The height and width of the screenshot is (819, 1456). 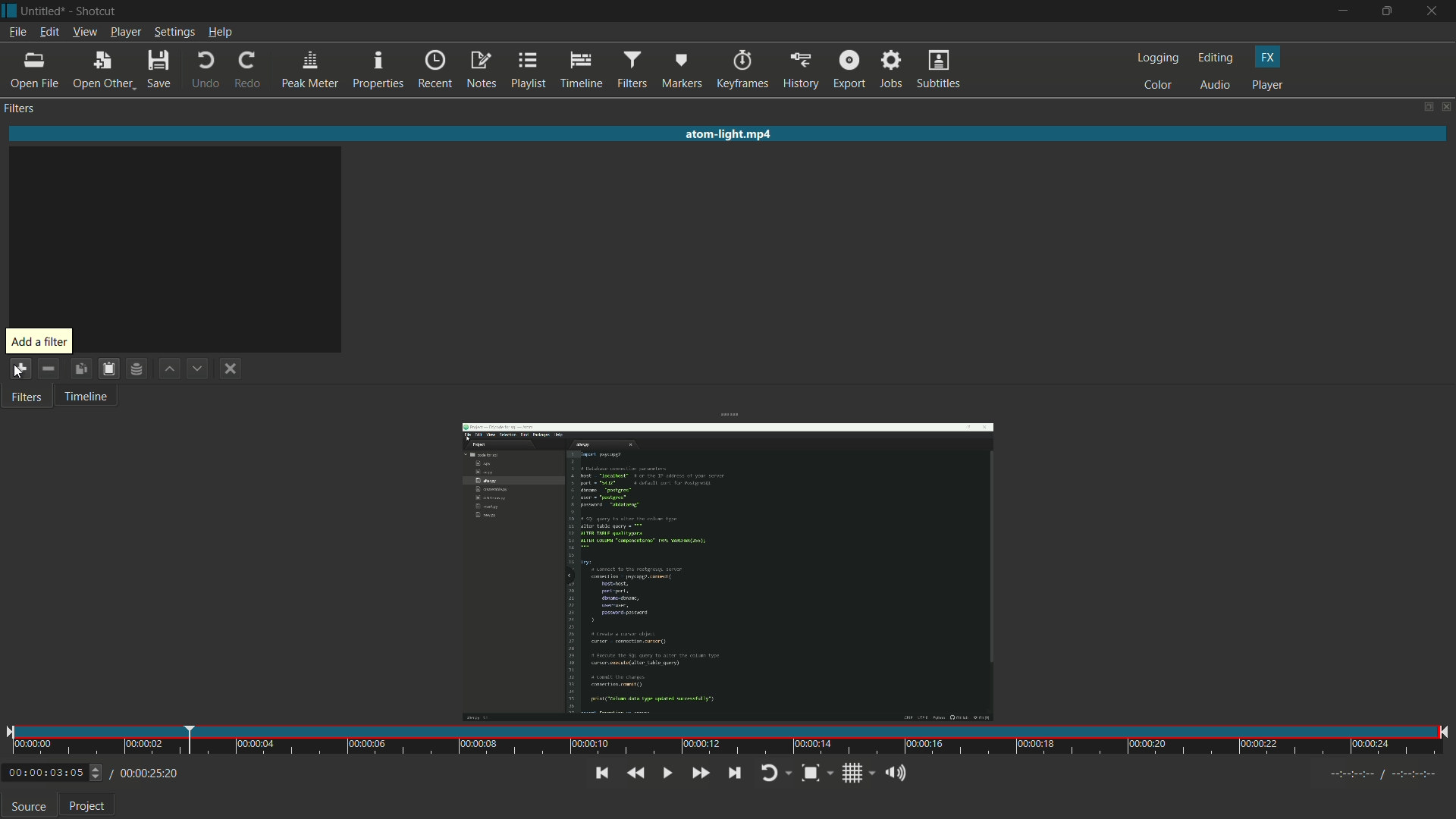 What do you see at coordinates (88, 808) in the screenshot?
I see `project` at bounding box center [88, 808].